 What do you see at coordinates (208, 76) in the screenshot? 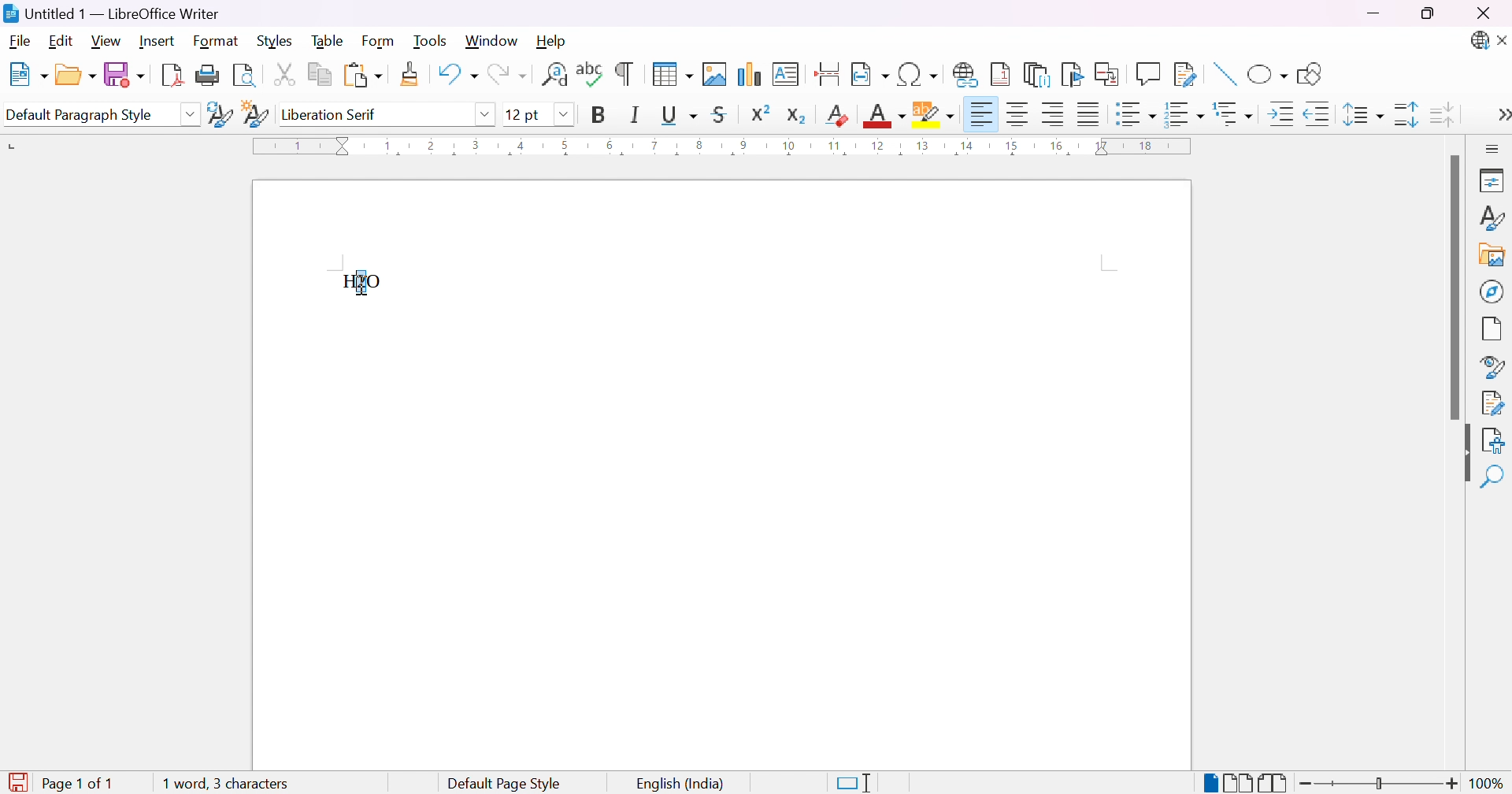
I see `Print` at bounding box center [208, 76].